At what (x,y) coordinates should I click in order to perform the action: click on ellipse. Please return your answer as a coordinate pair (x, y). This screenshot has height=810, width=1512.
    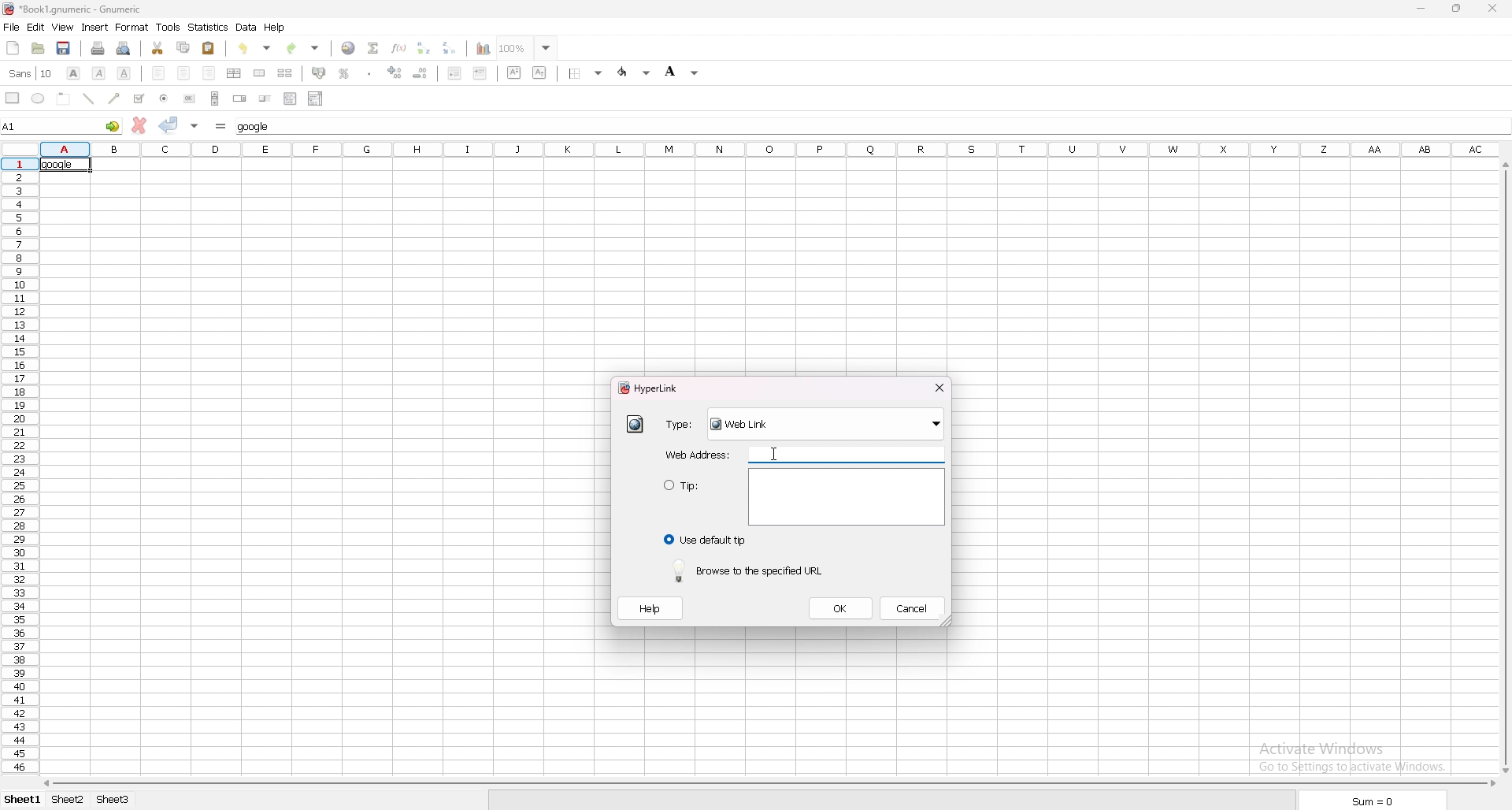
    Looking at the image, I should click on (39, 98).